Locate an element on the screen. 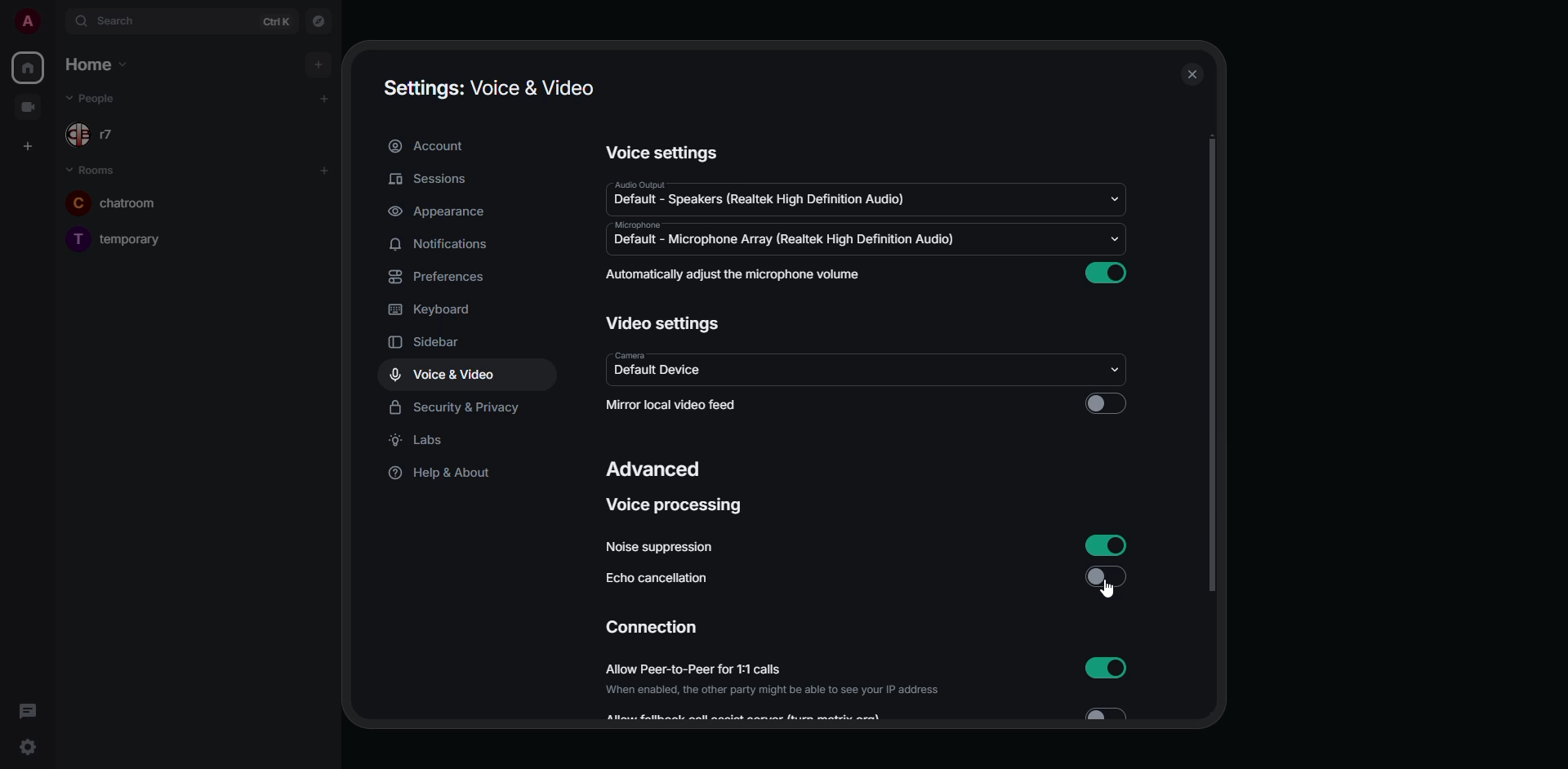  default is located at coordinates (660, 373).